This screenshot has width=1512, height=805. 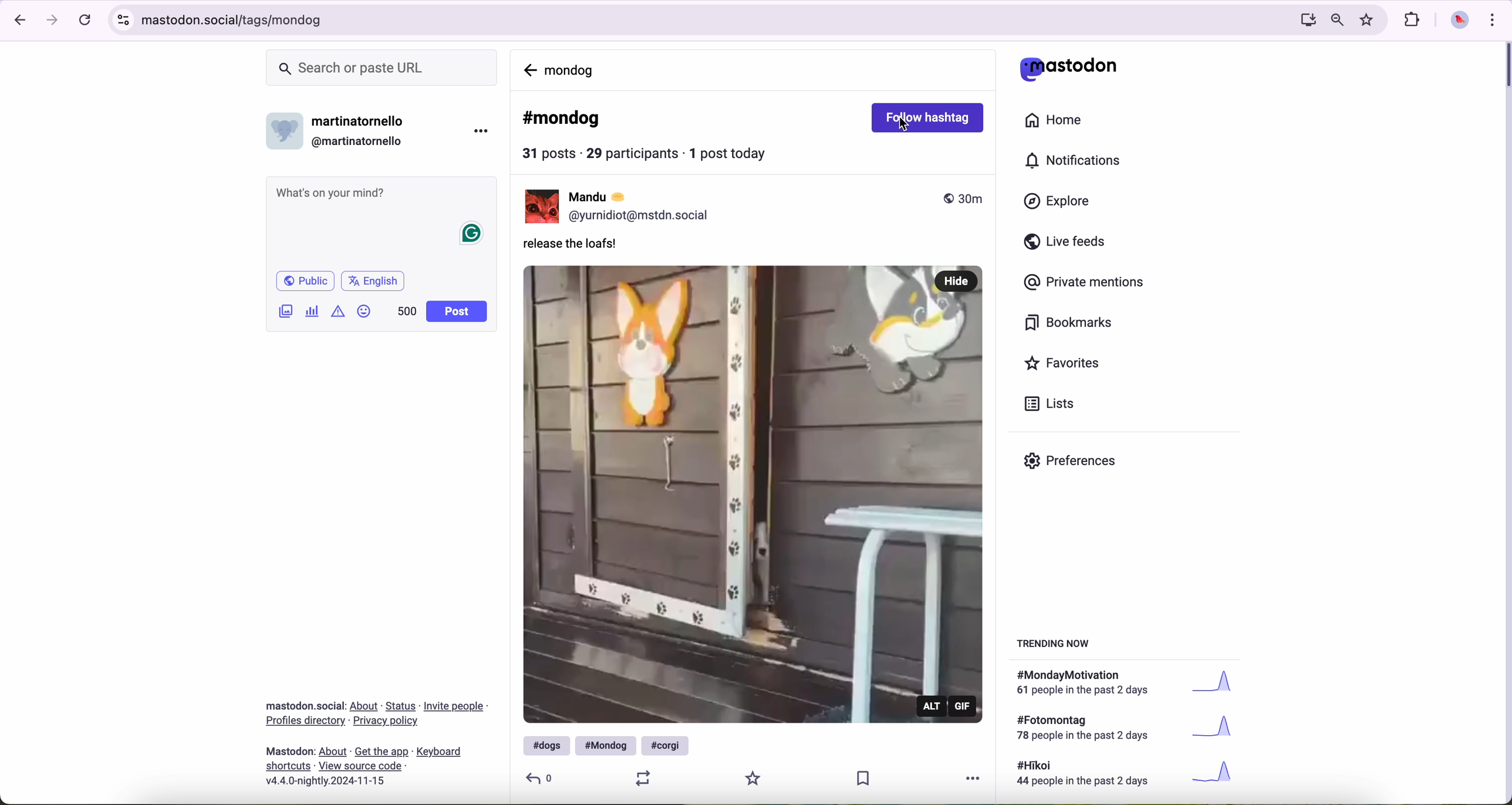 What do you see at coordinates (529, 68) in the screenshot?
I see `navigate back` at bounding box center [529, 68].